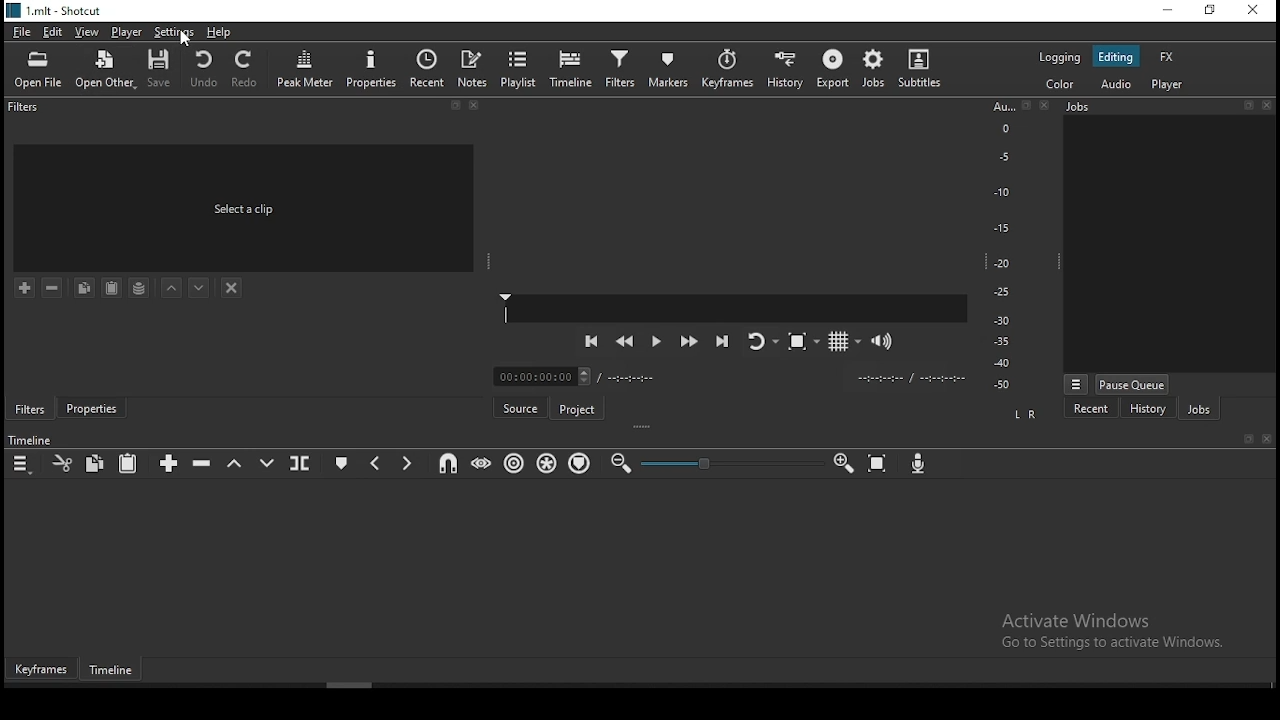 This screenshot has height=720, width=1280. What do you see at coordinates (249, 73) in the screenshot?
I see `redo` at bounding box center [249, 73].